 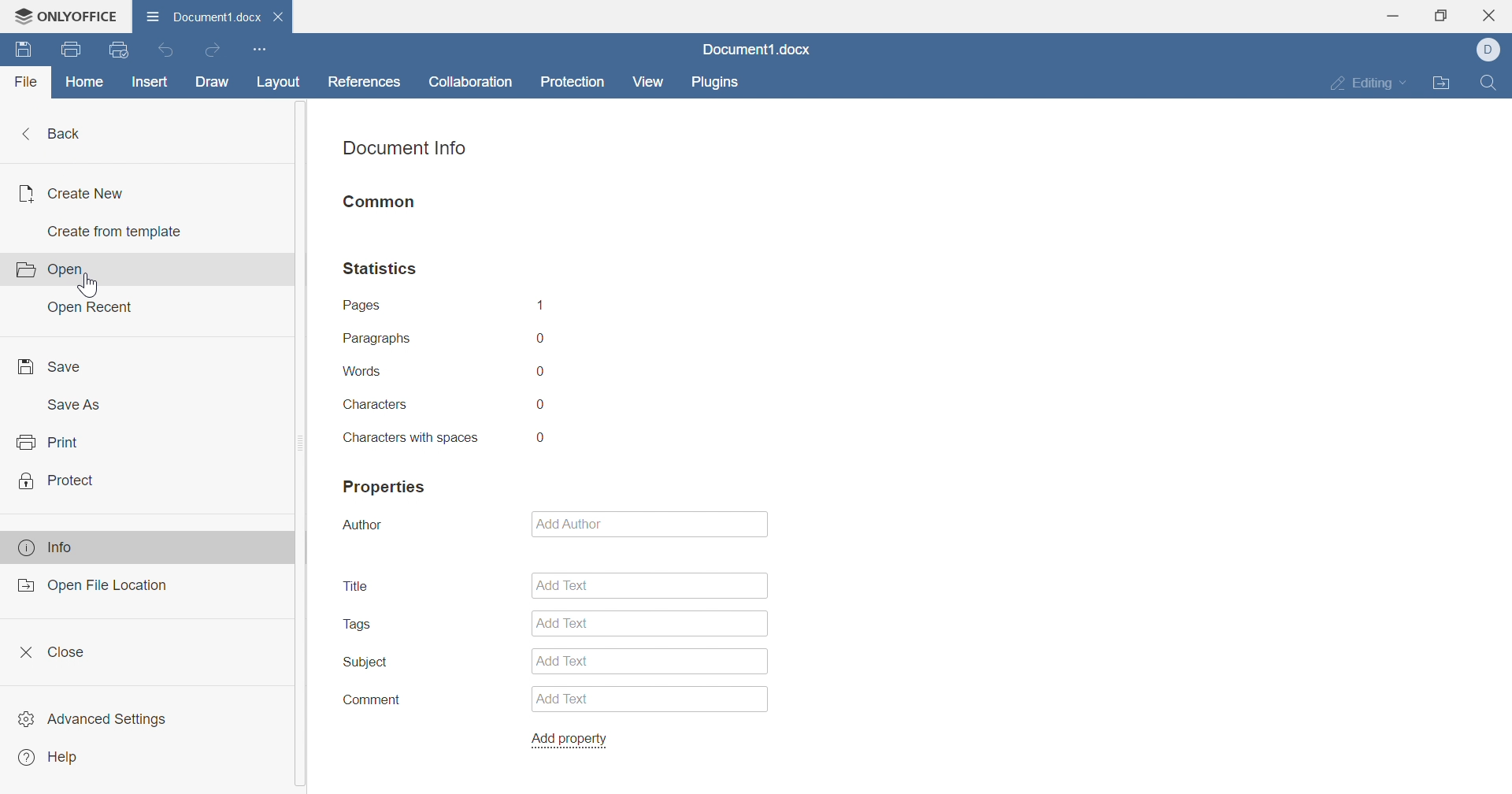 What do you see at coordinates (565, 699) in the screenshot?
I see `add text` at bounding box center [565, 699].